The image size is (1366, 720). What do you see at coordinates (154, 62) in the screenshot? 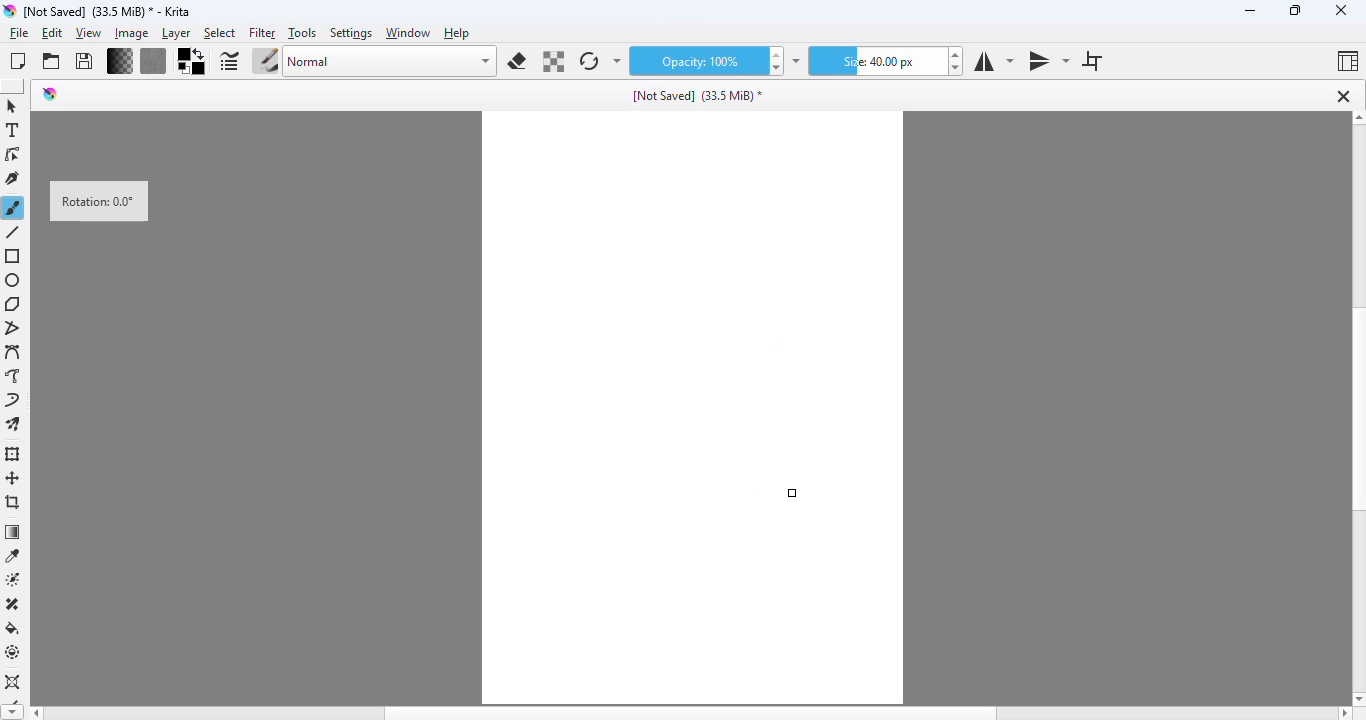
I see `fill patterns` at bounding box center [154, 62].